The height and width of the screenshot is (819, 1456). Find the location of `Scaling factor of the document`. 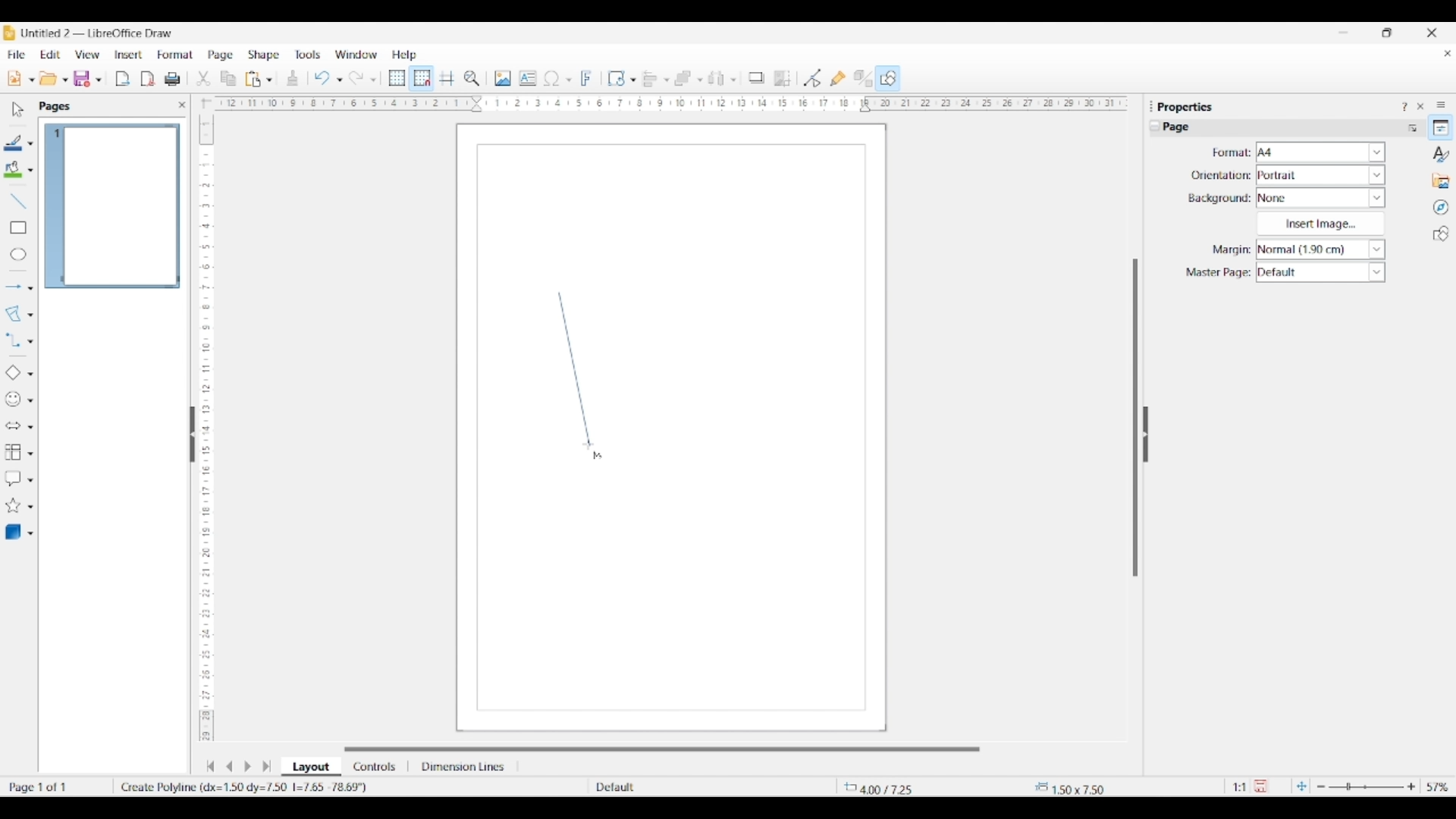

Scaling factor of the document is located at coordinates (1240, 787).